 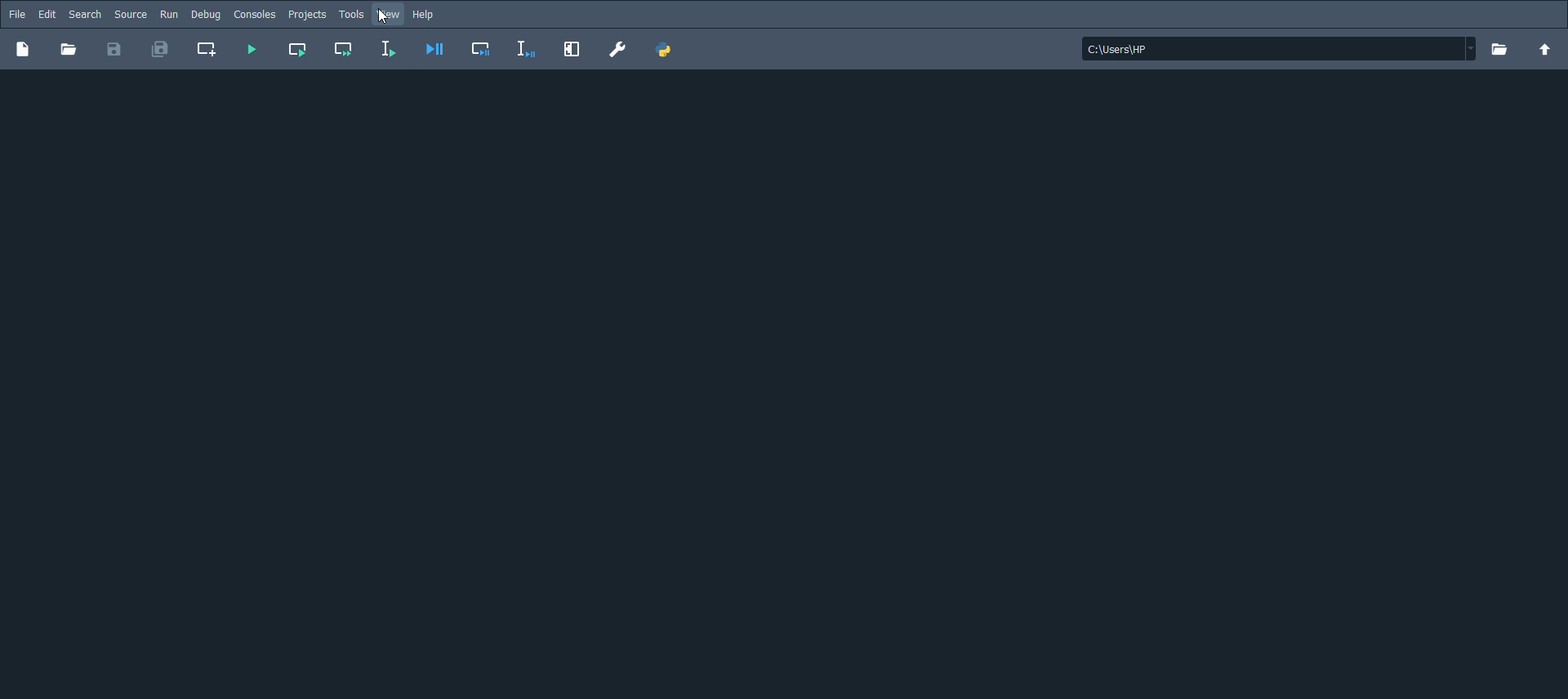 What do you see at coordinates (381, 18) in the screenshot?
I see `cursor` at bounding box center [381, 18].